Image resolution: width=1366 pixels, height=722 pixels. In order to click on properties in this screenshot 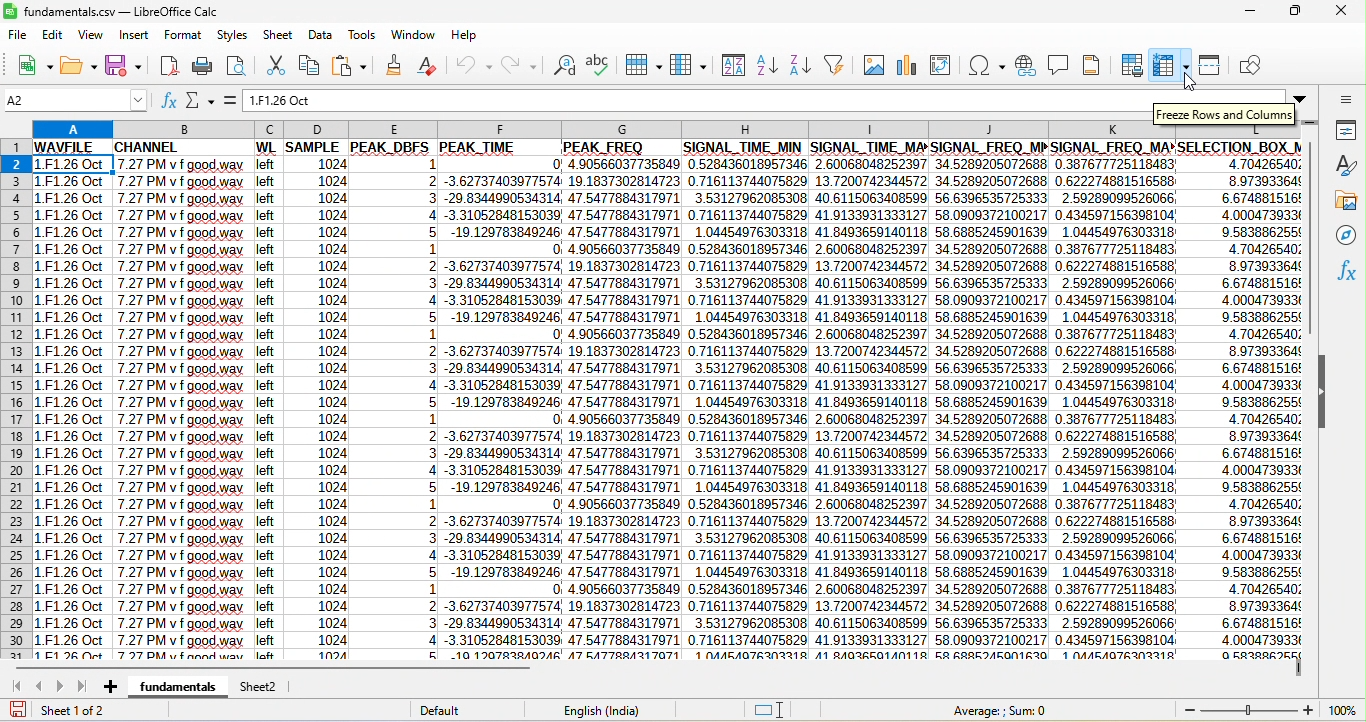, I will do `click(1348, 130)`.